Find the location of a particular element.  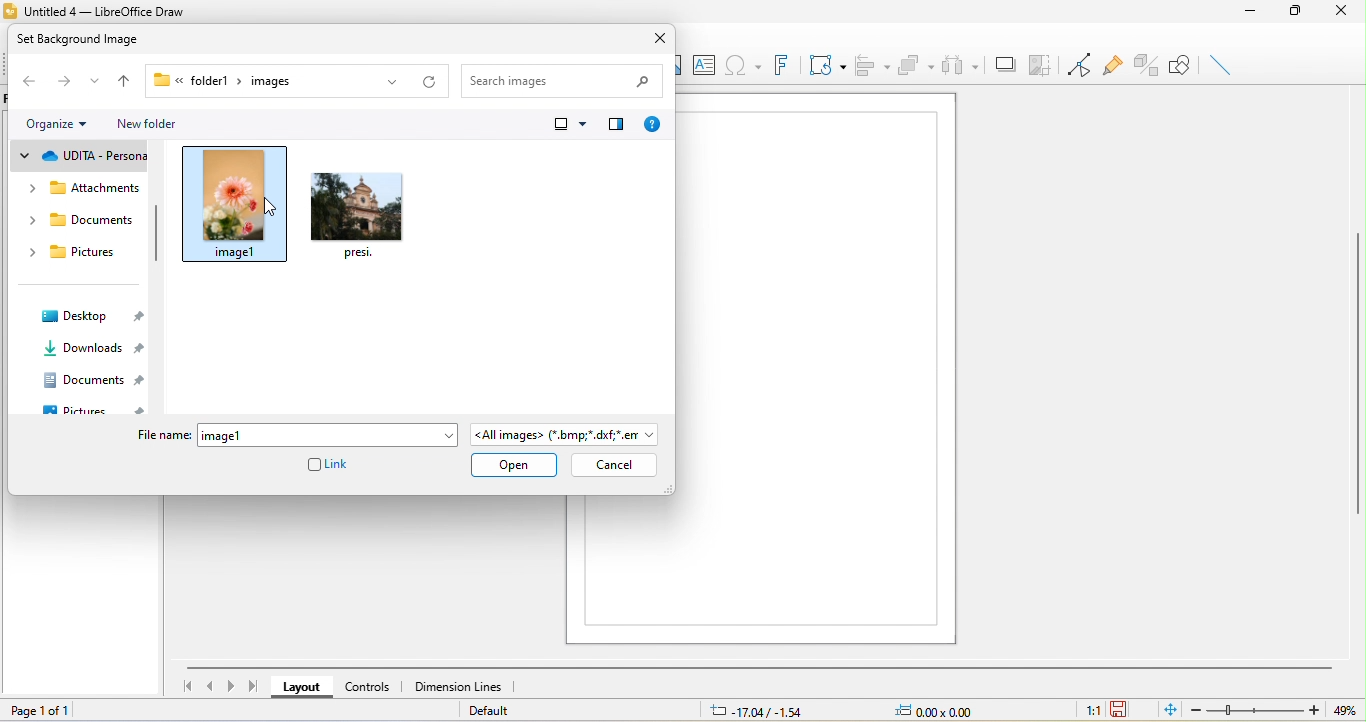

toggle point edit mode is located at coordinates (1080, 65).